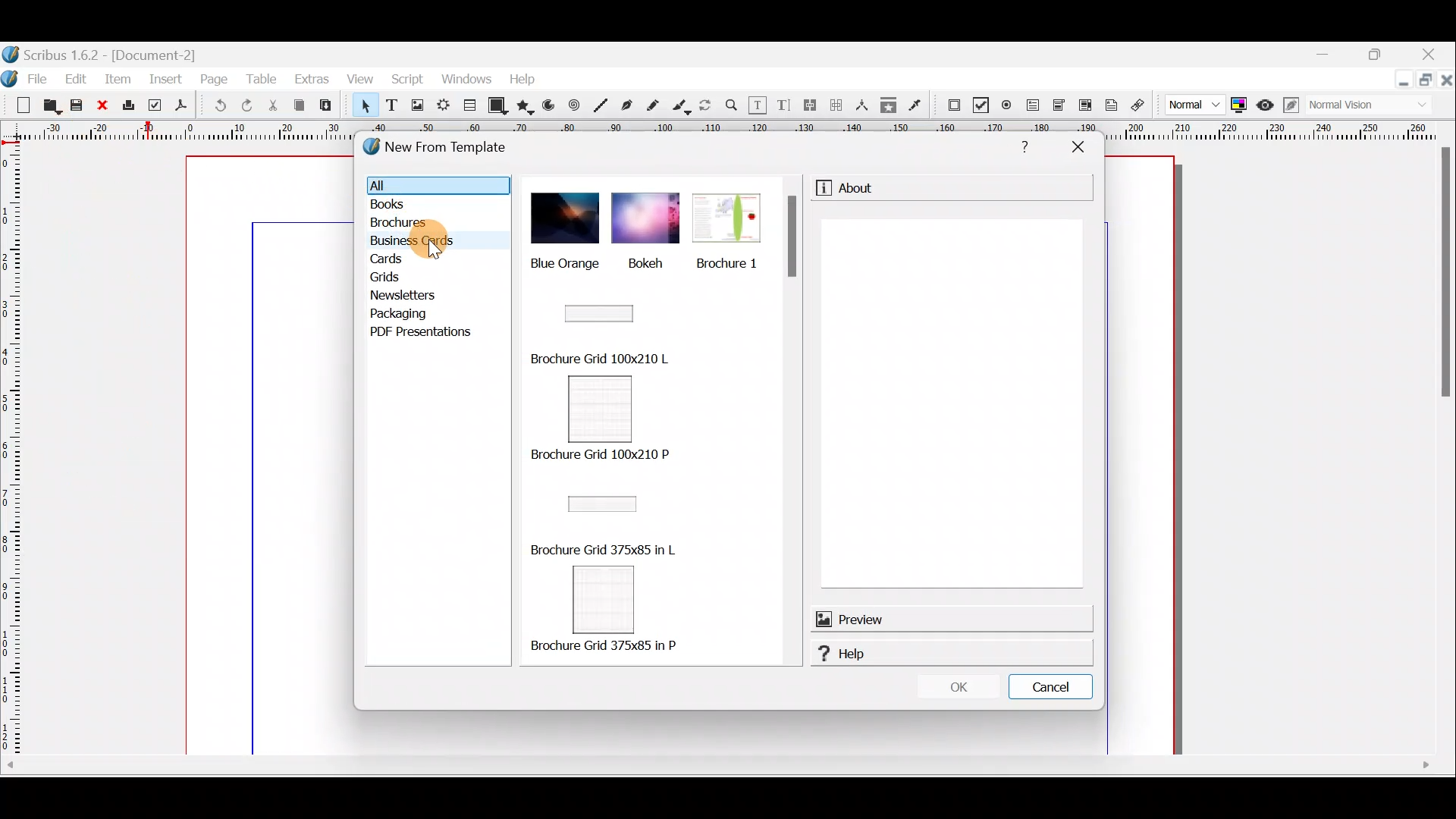 This screenshot has height=819, width=1456. Describe the element at coordinates (526, 79) in the screenshot. I see `Help` at that location.